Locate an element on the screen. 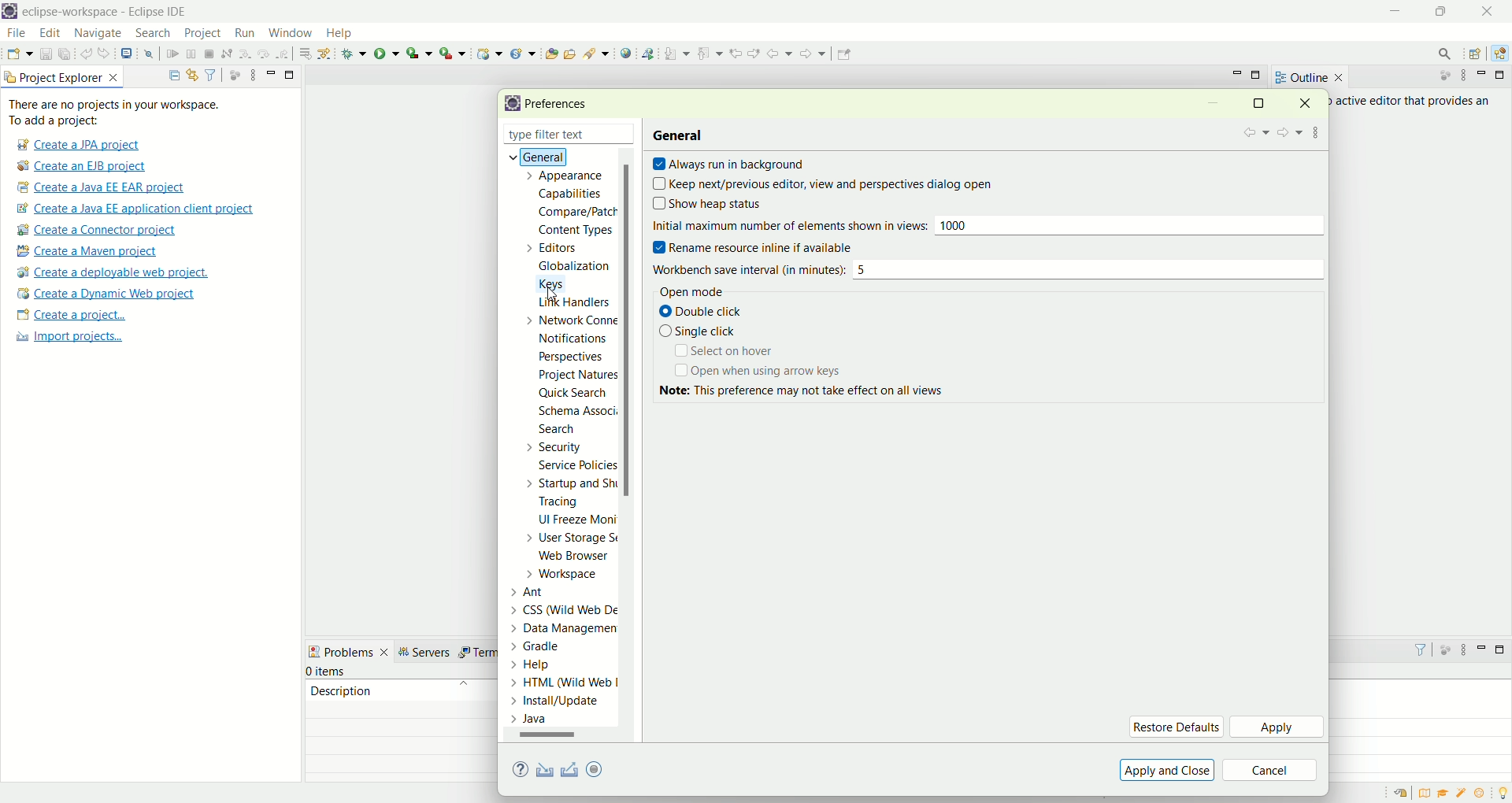  startup and shutdown is located at coordinates (574, 483).